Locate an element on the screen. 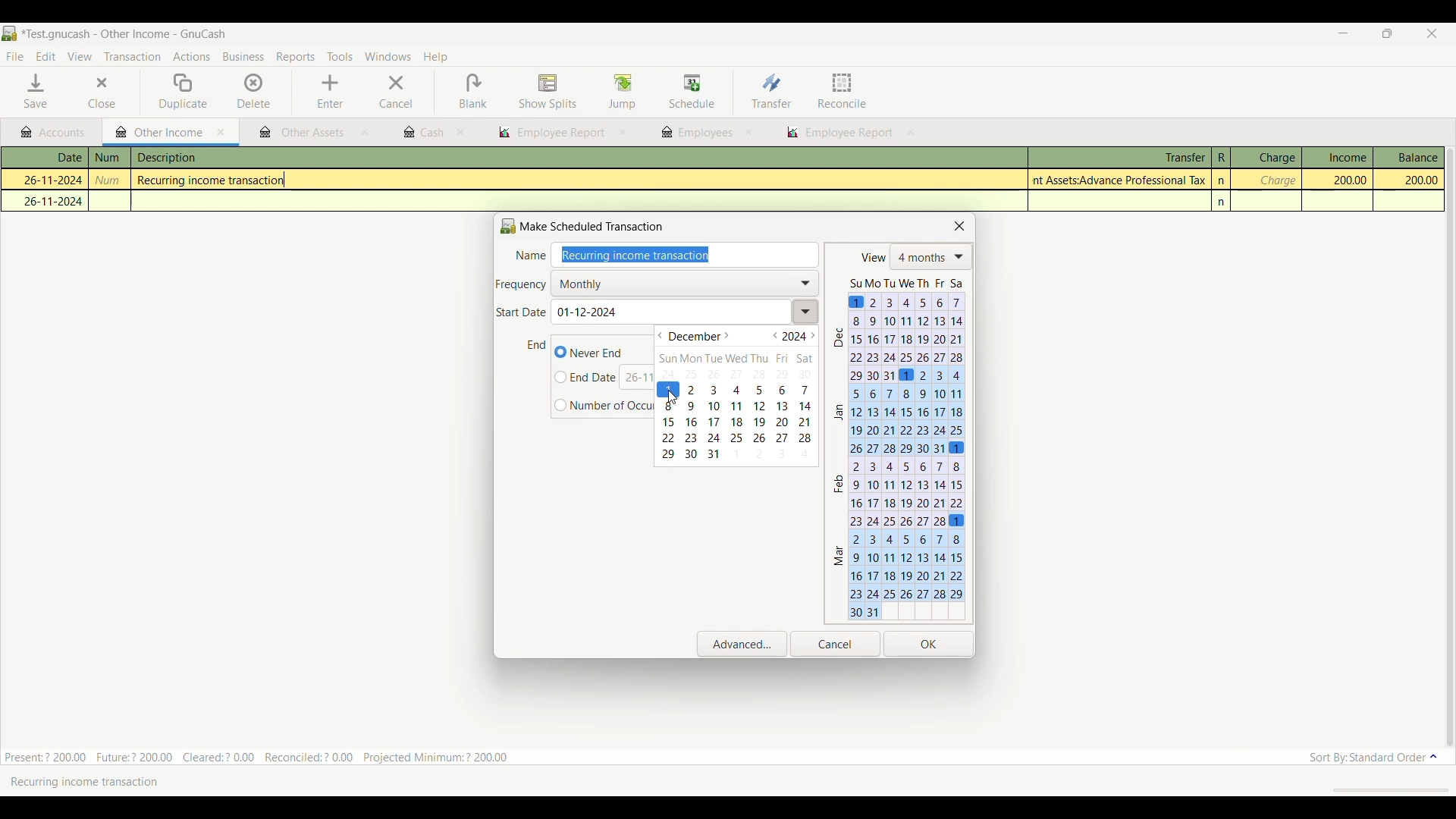 This screenshot has height=819, width=1456. 200.00 is located at coordinates (1409, 180).